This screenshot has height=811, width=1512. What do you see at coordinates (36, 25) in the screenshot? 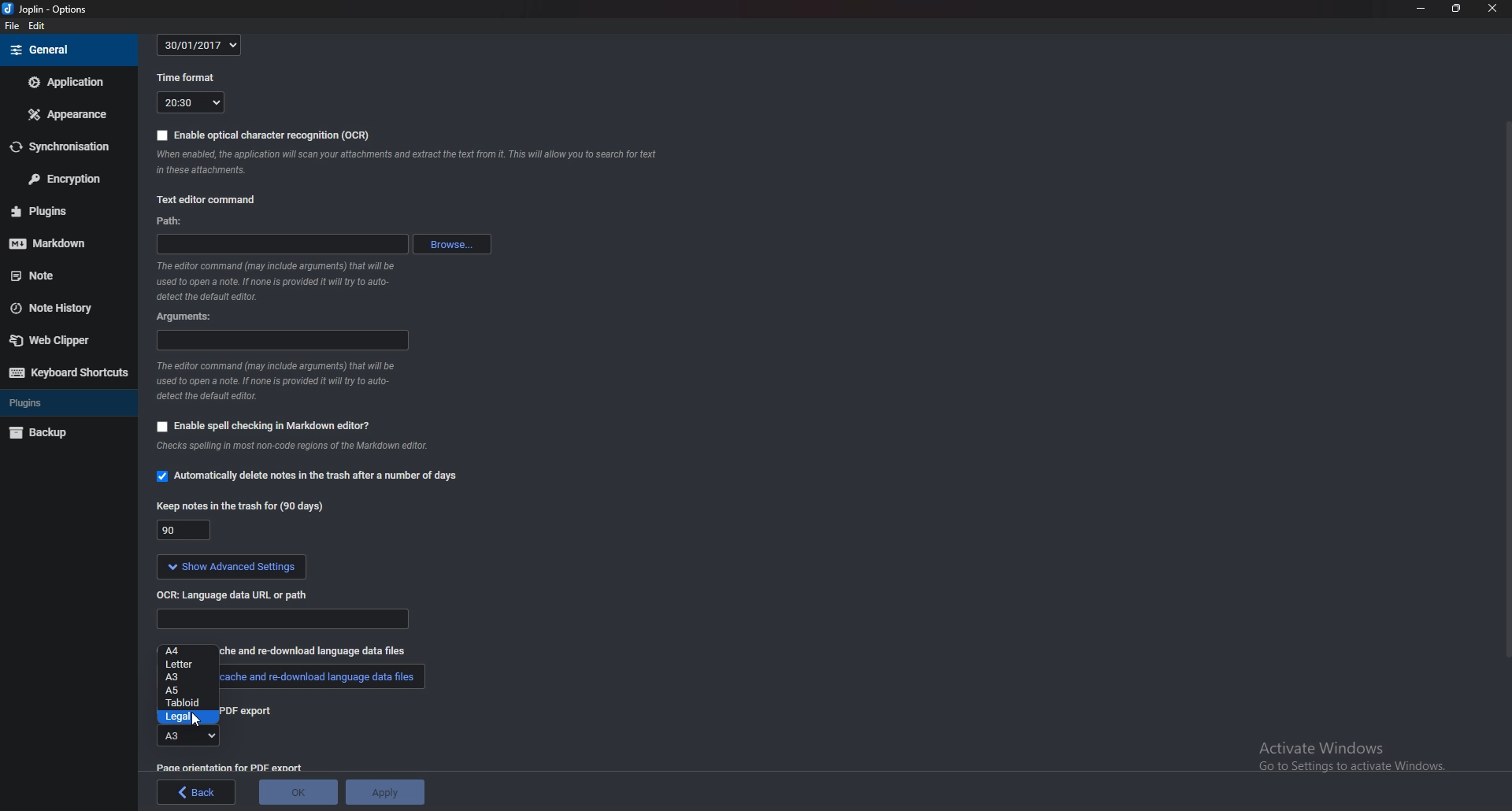
I see `Edit` at bounding box center [36, 25].